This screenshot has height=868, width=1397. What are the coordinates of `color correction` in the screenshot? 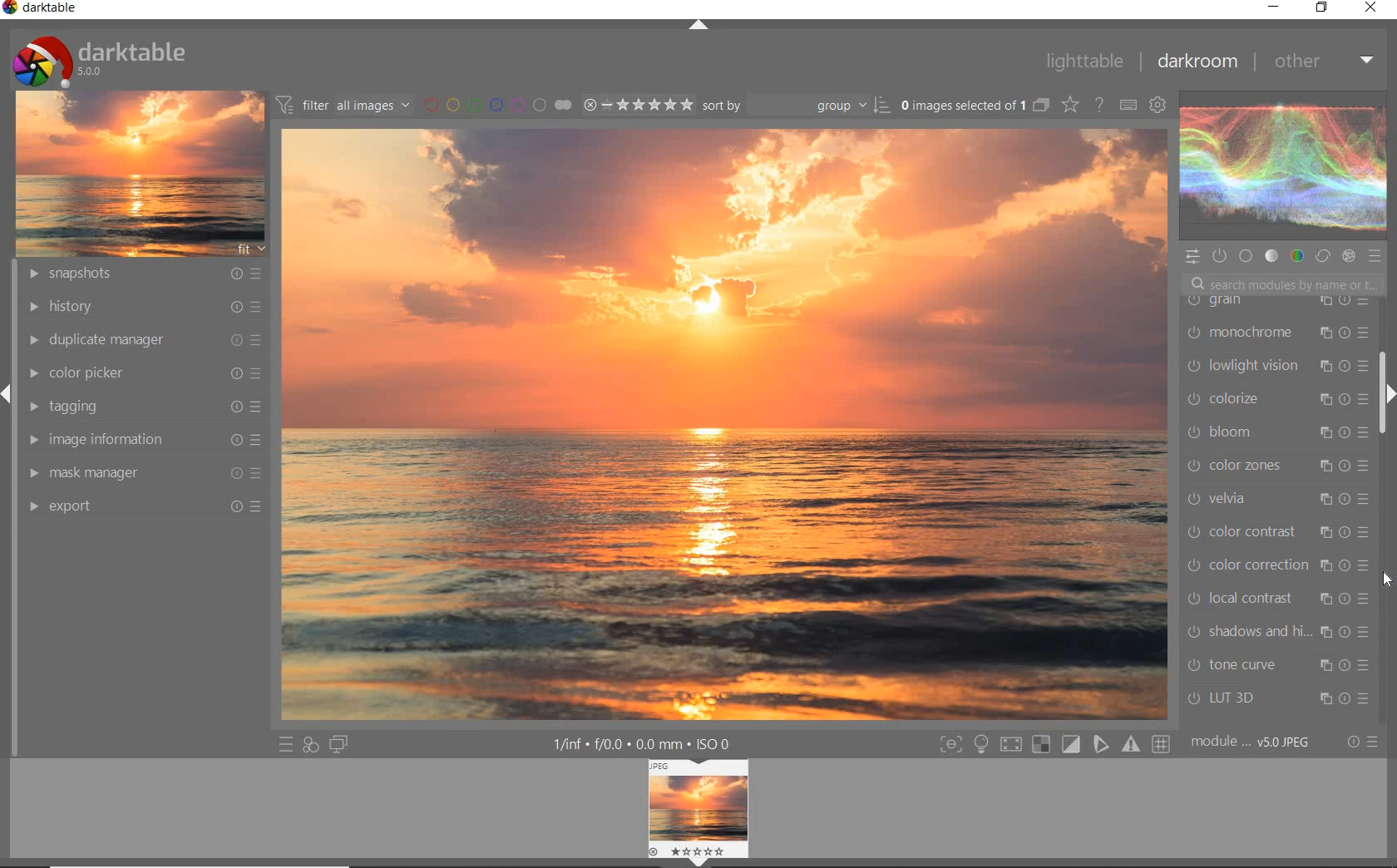 It's located at (1276, 563).